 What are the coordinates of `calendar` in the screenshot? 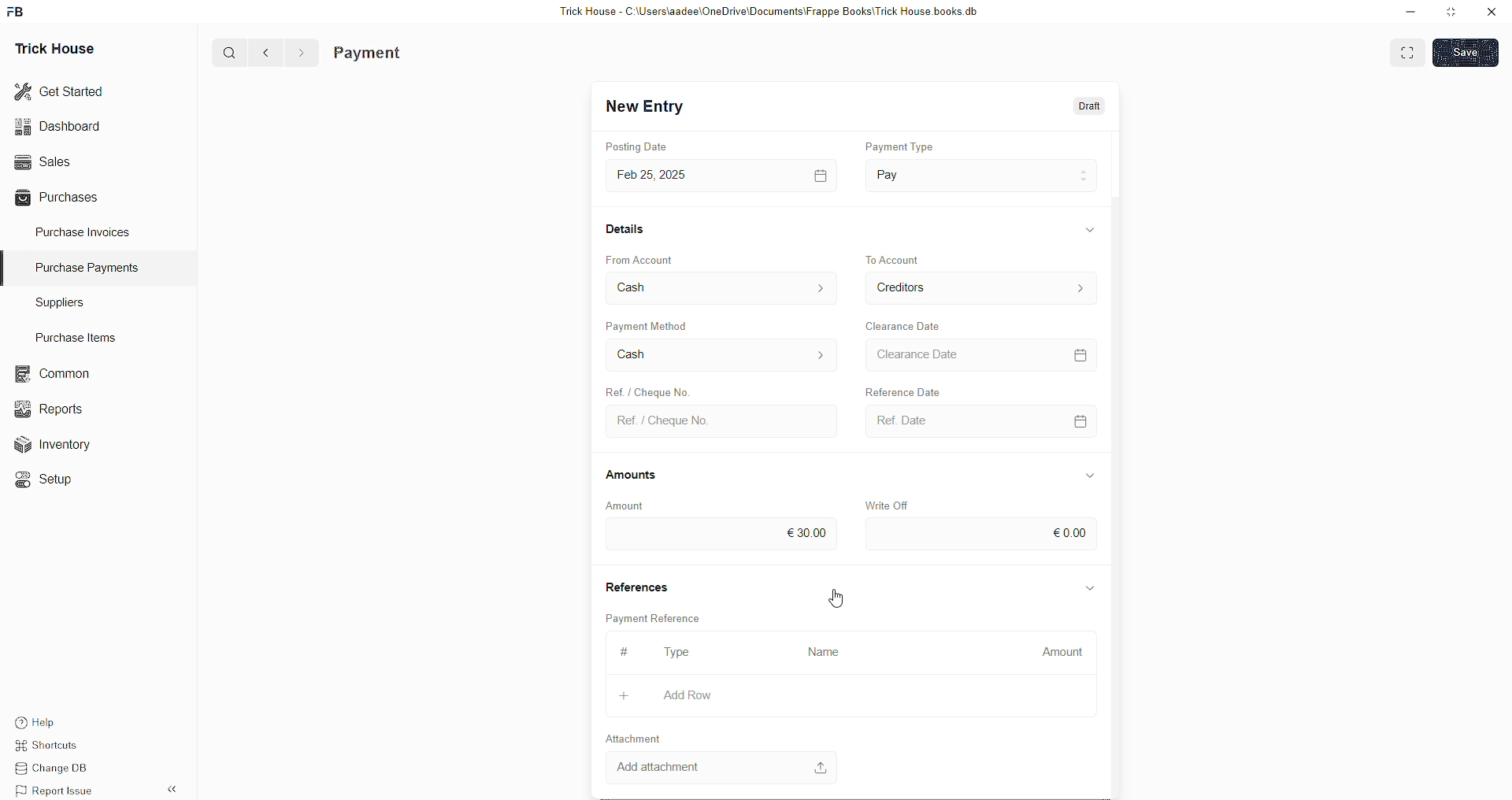 It's located at (814, 174).